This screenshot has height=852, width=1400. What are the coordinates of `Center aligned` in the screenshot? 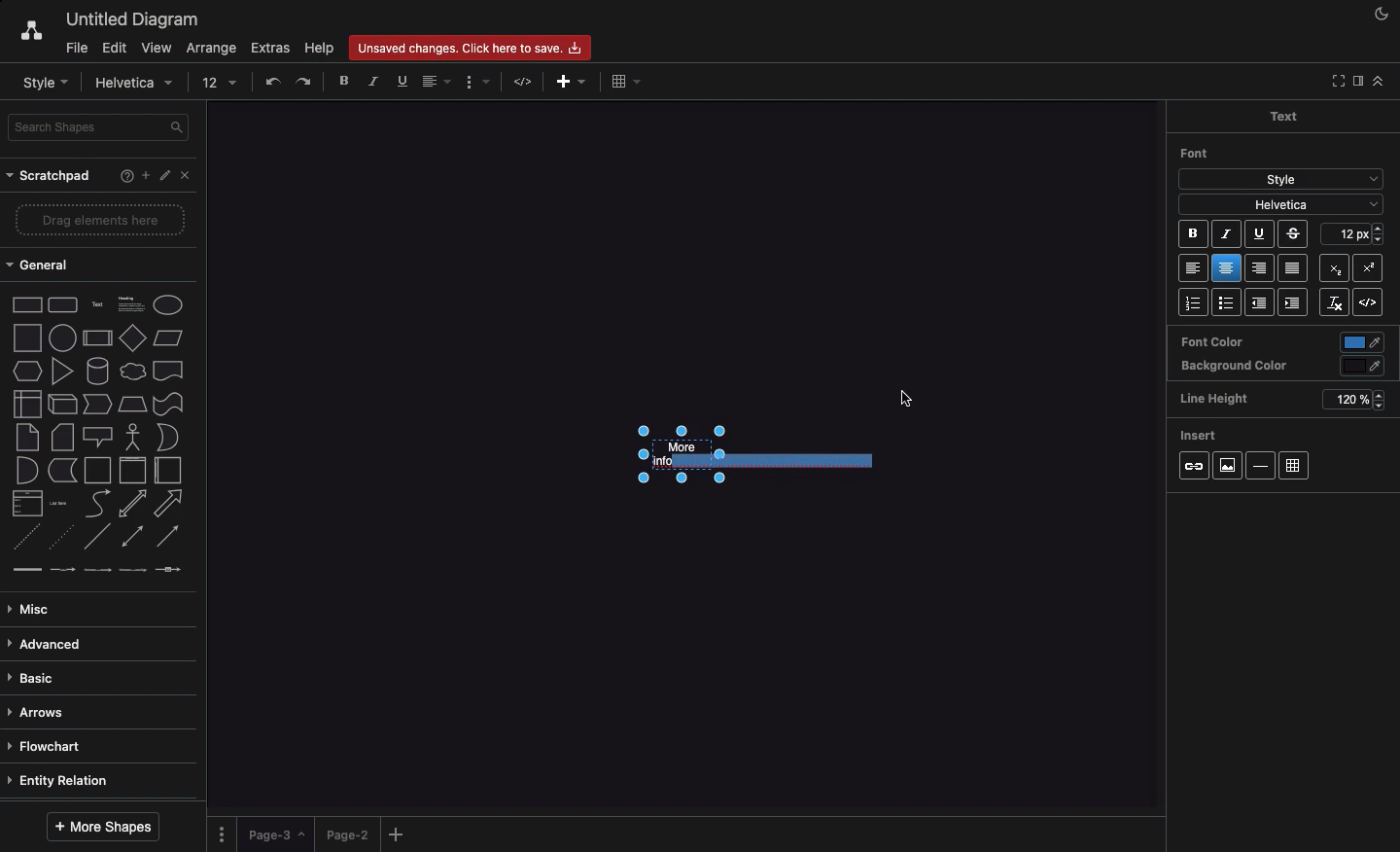 It's located at (1228, 268).